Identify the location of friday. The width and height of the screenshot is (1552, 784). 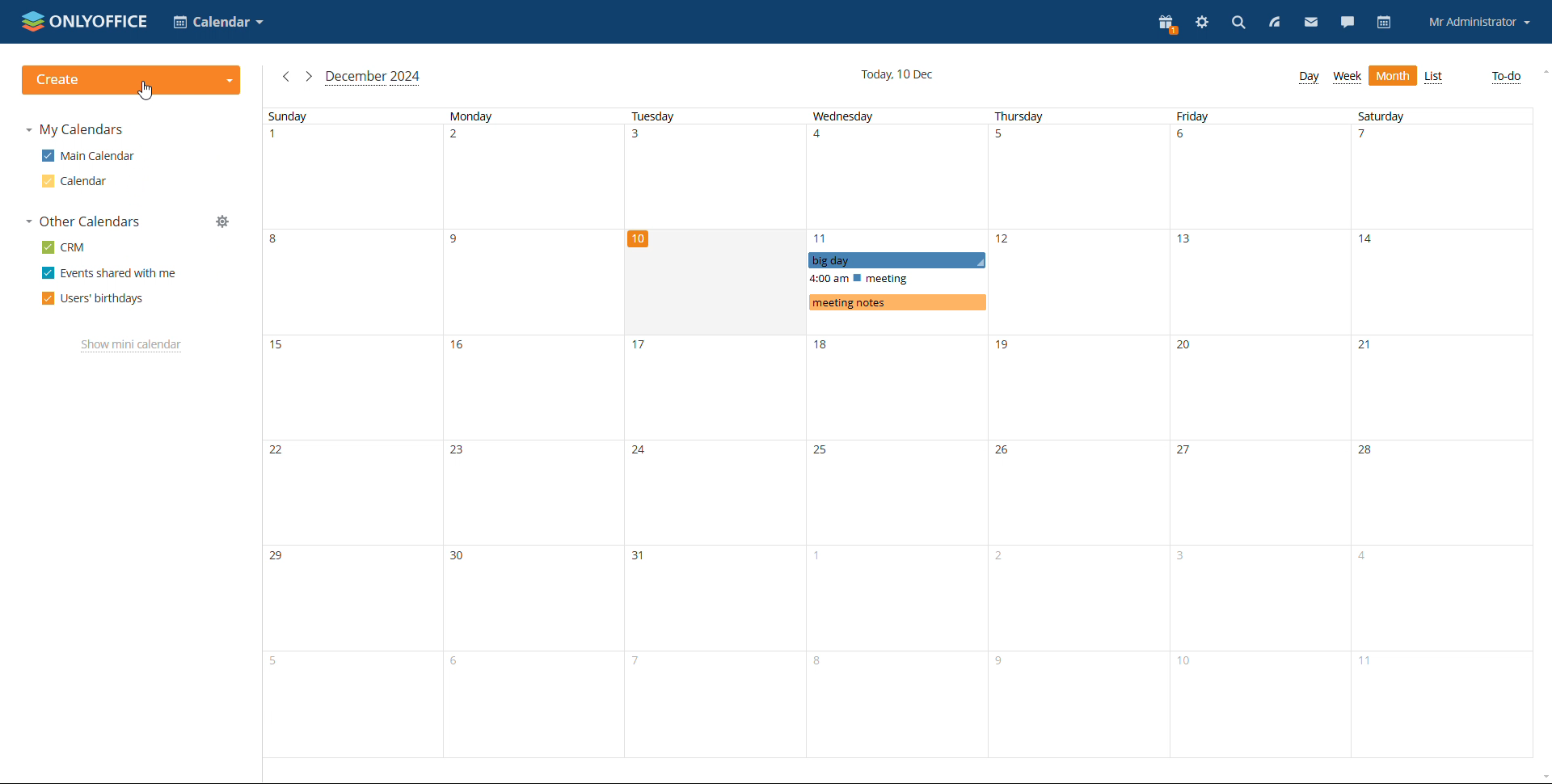
(1261, 433).